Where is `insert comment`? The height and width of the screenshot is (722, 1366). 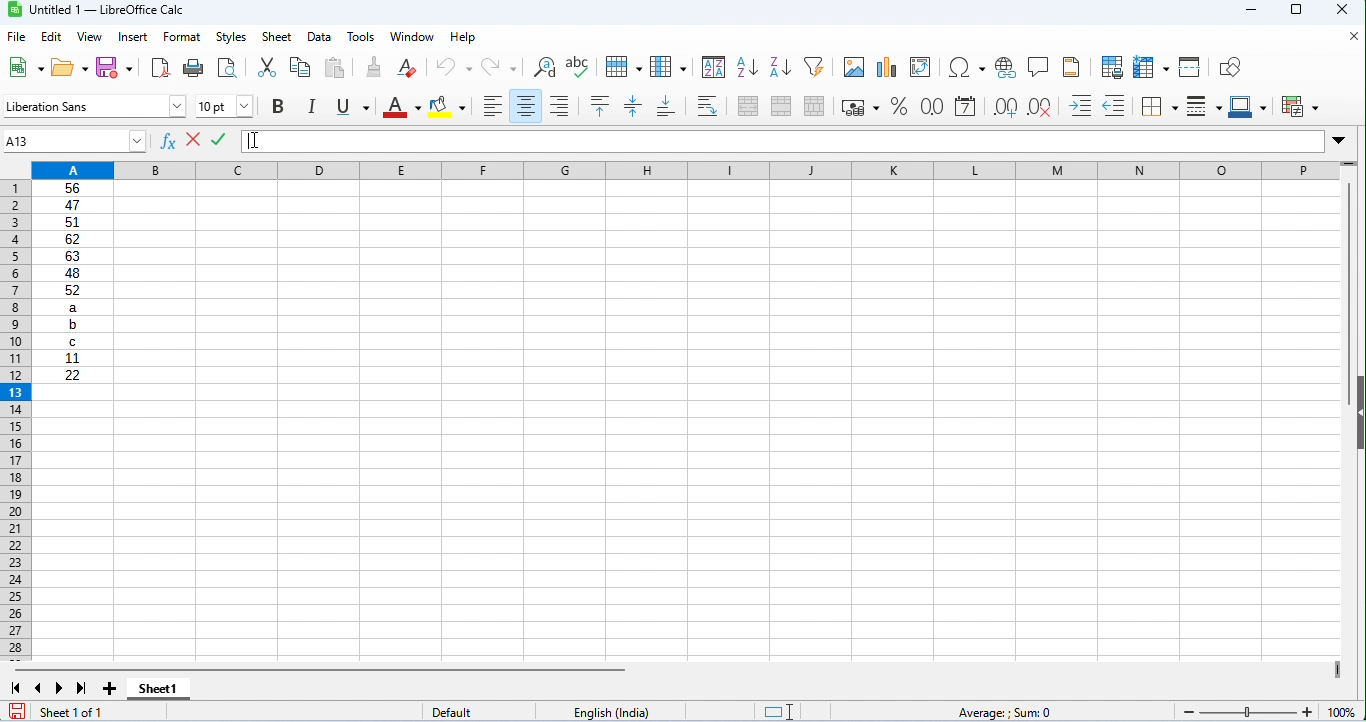 insert comment is located at coordinates (1037, 66).